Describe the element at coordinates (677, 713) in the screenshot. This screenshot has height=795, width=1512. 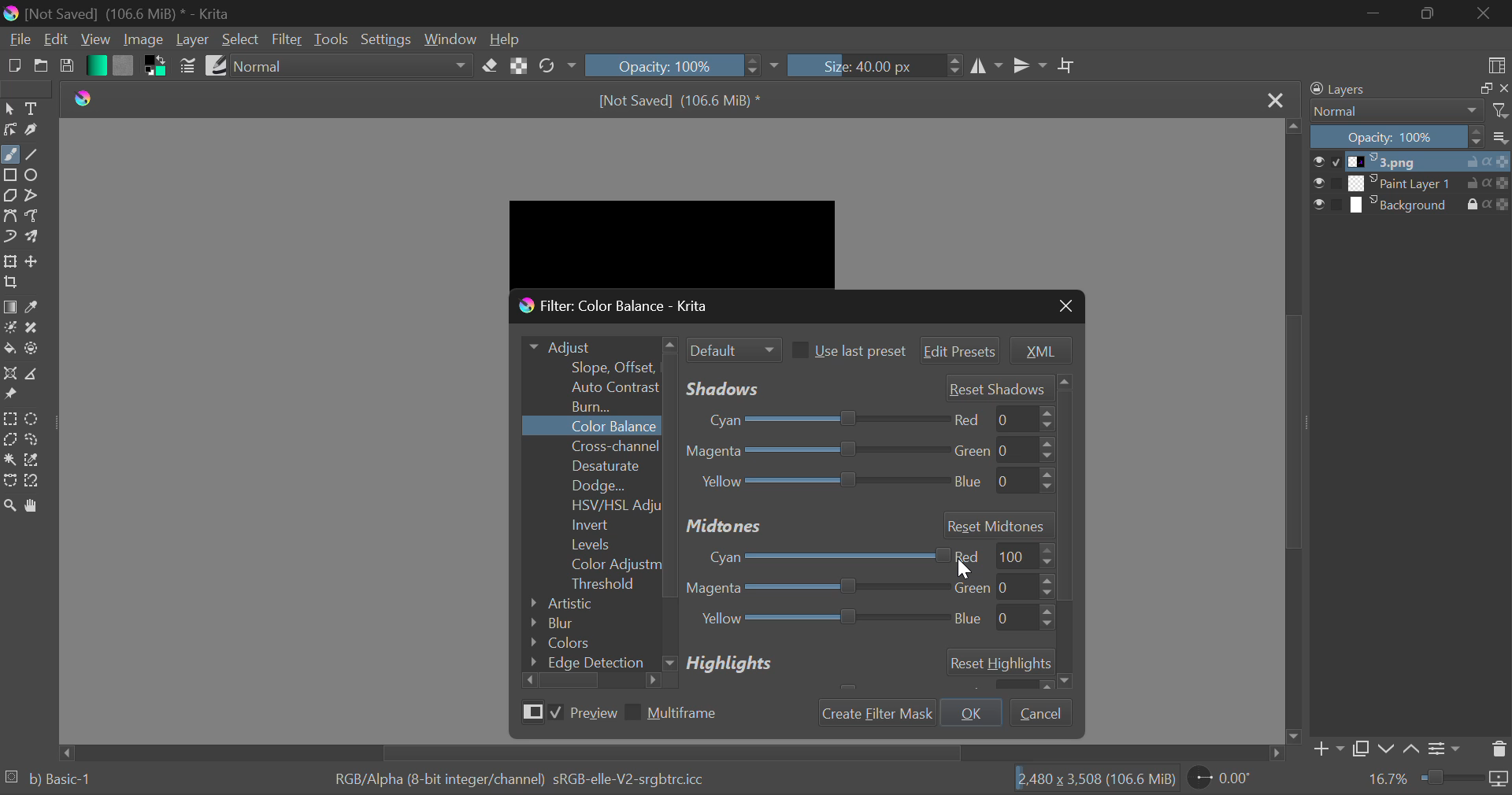
I see `Multiframe` at that location.